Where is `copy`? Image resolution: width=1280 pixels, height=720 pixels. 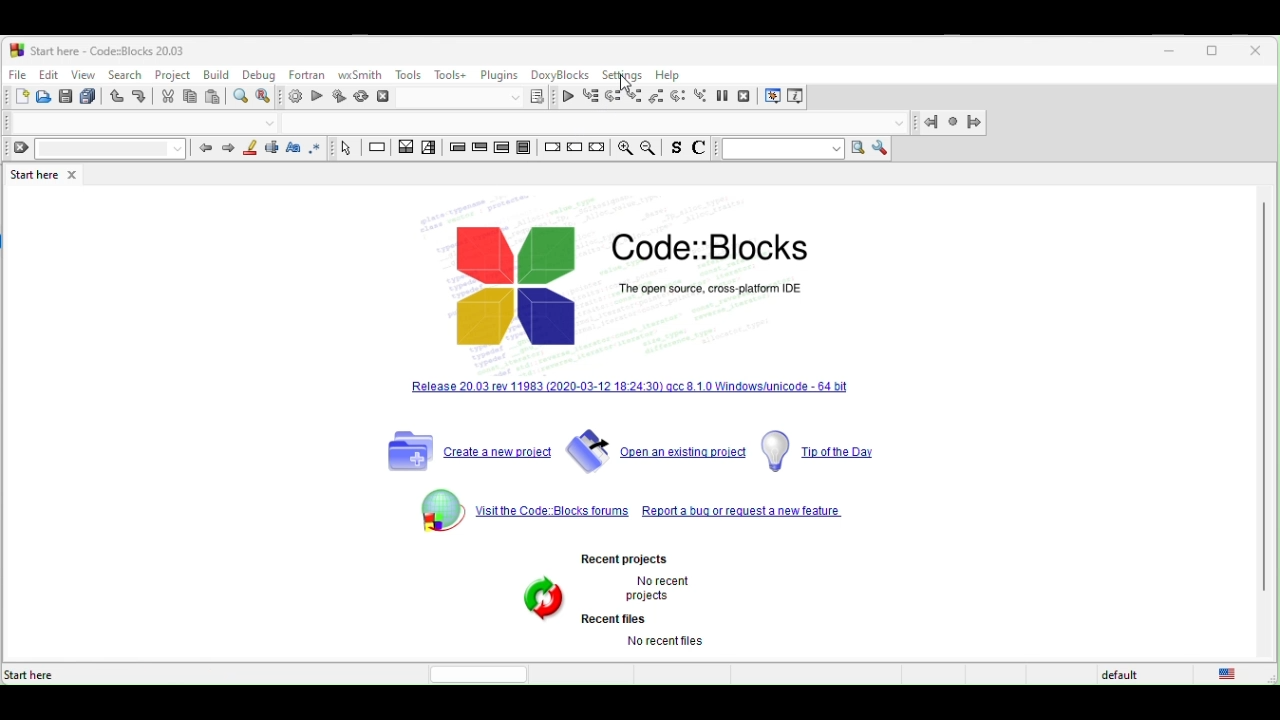
copy is located at coordinates (191, 98).